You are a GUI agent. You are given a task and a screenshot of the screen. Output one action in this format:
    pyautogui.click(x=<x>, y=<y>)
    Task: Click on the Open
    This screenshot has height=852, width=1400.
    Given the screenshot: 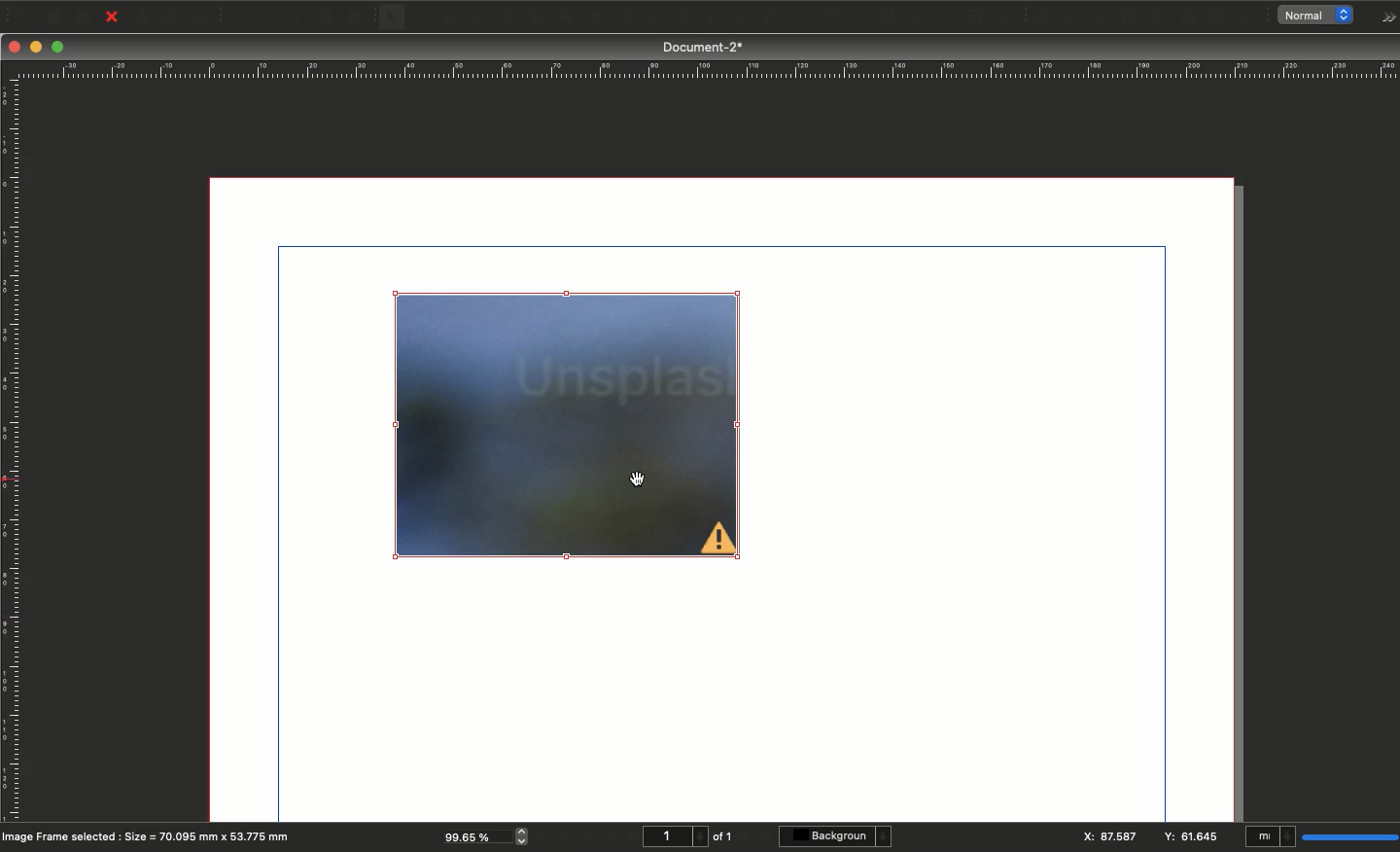 What is the action you would take?
    pyautogui.click(x=52, y=18)
    